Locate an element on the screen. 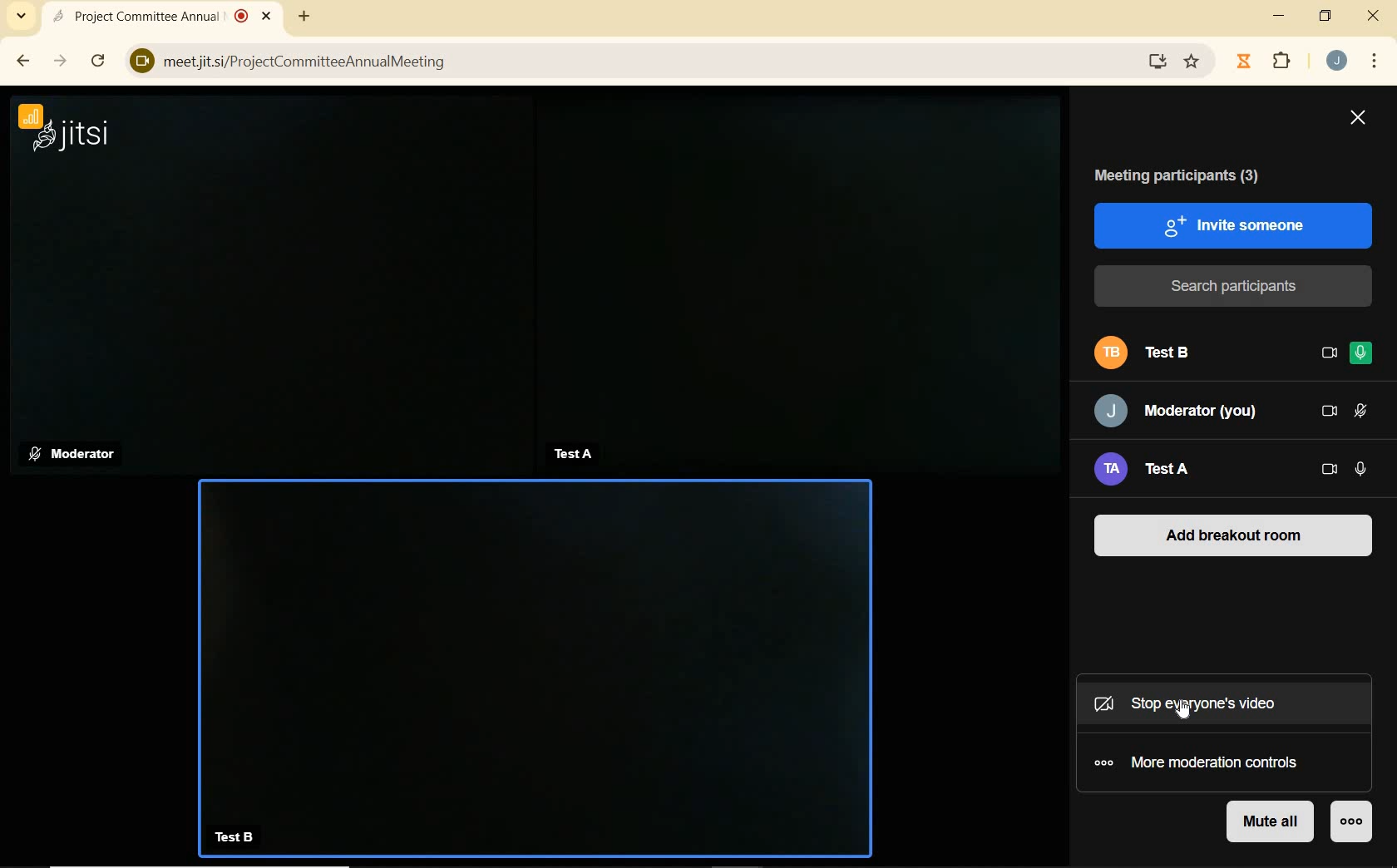 This screenshot has height=868, width=1397. MINIMIZE is located at coordinates (1279, 17).